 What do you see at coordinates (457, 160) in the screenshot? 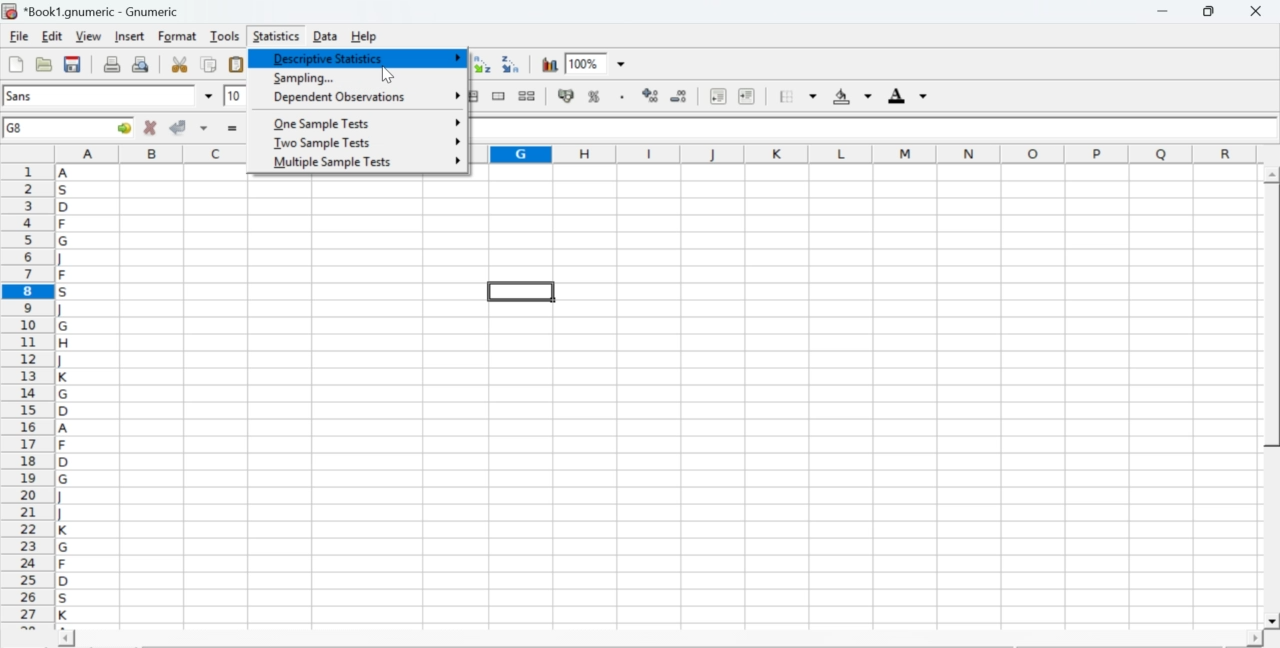
I see `more` at bounding box center [457, 160].